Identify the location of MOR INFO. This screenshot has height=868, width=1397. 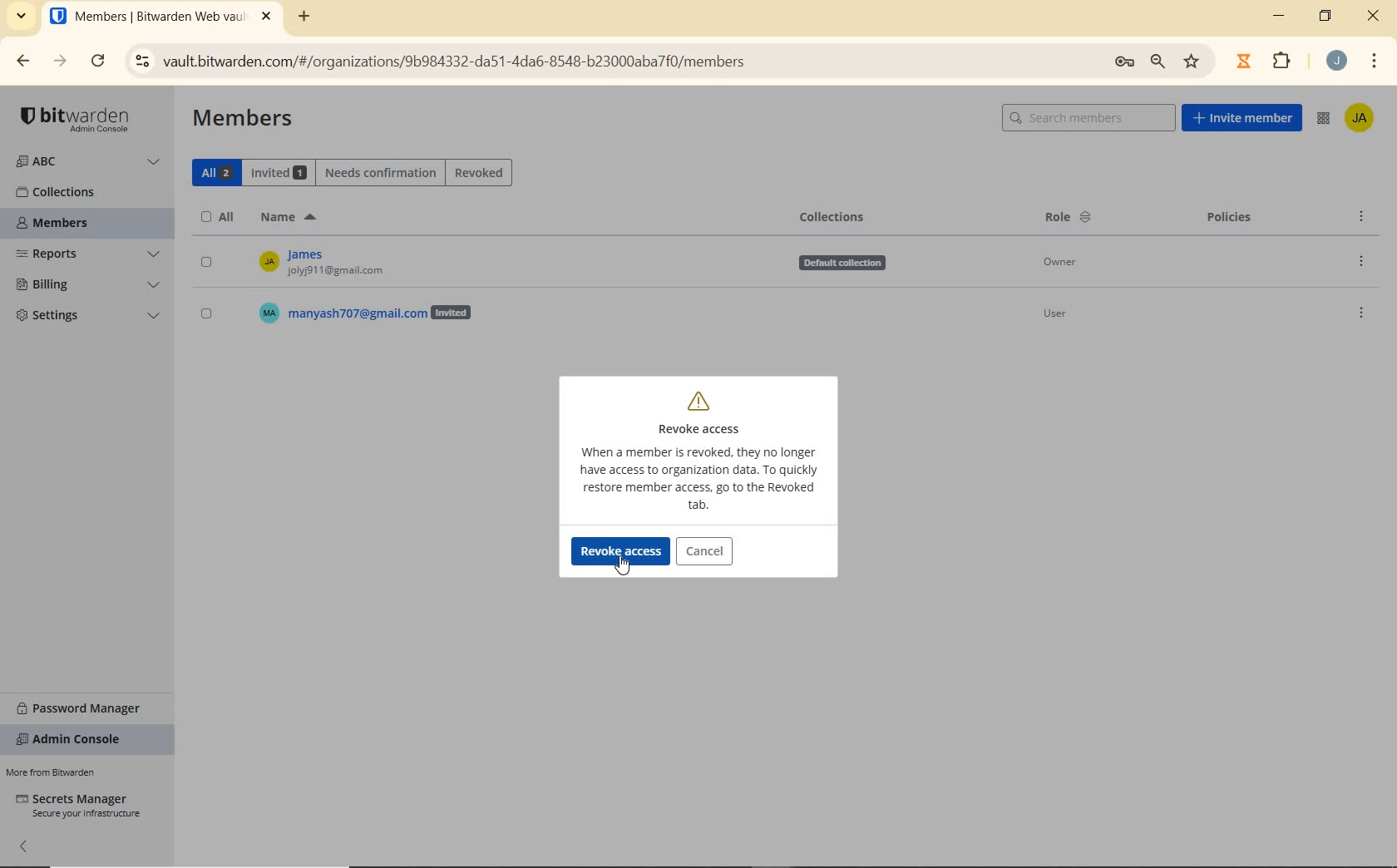
(702, 480).